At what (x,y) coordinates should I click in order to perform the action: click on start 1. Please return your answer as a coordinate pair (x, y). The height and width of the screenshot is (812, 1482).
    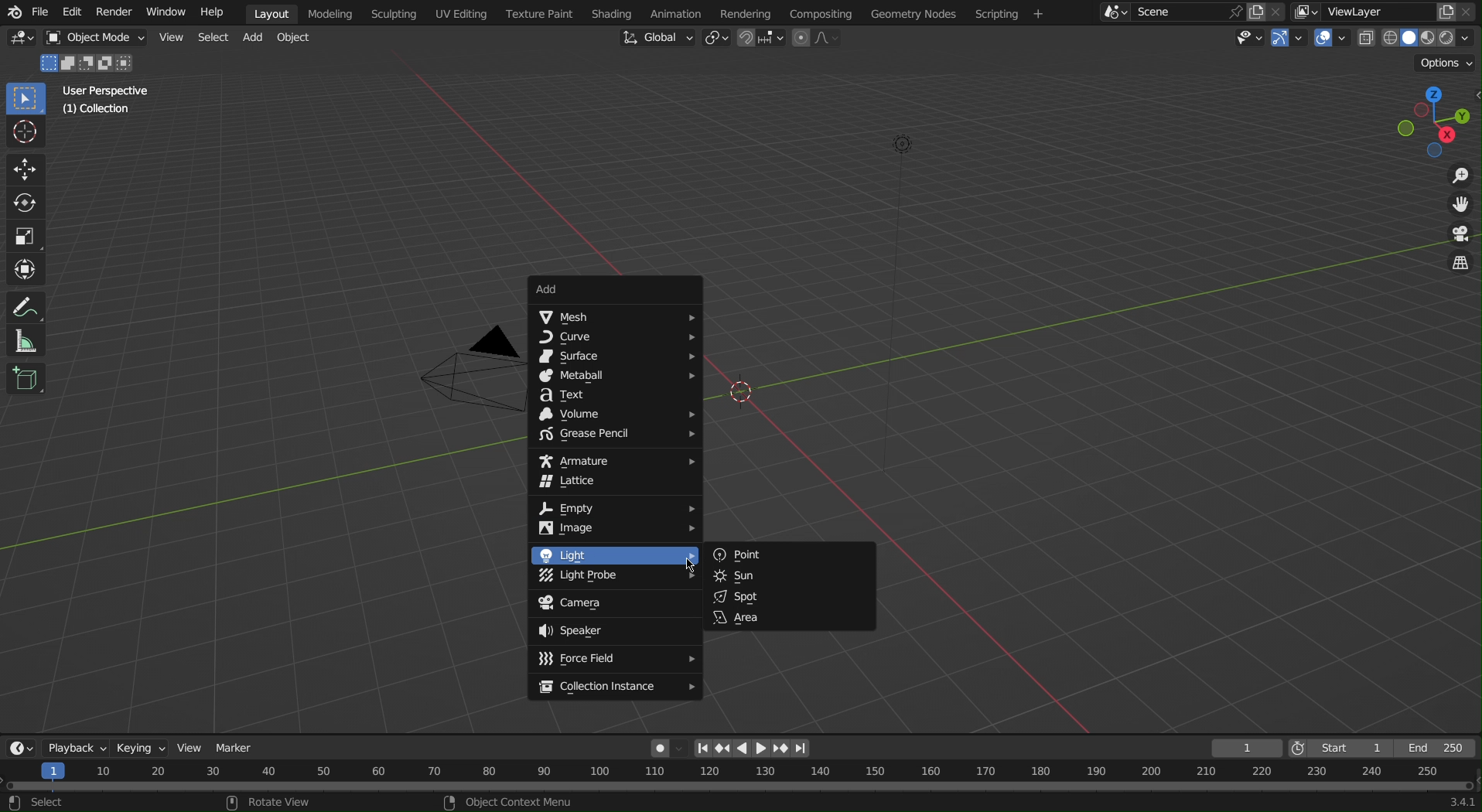
    Looking at the image, I should click on (1347, 747).